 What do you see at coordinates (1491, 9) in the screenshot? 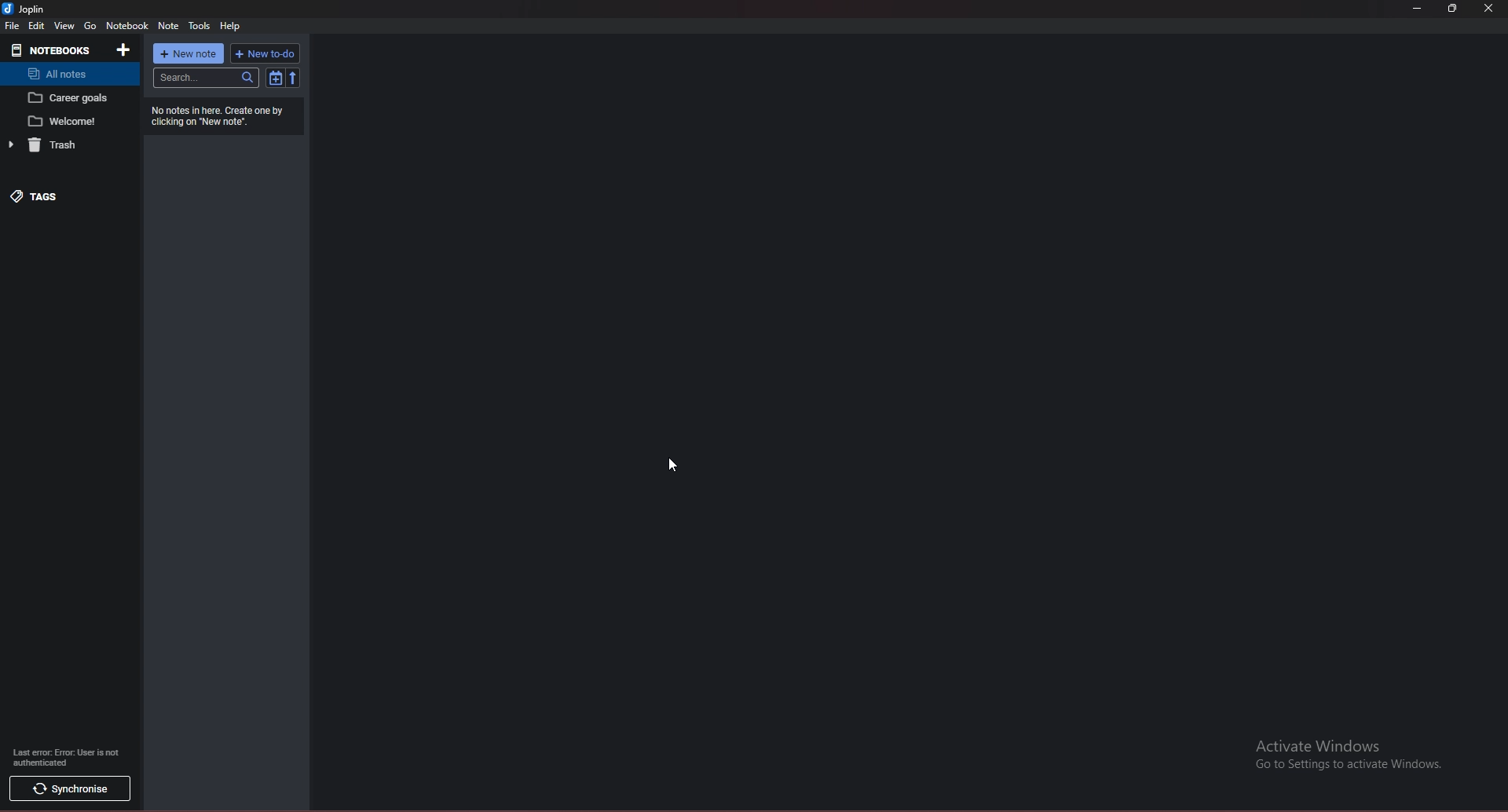
I see `close` at bounding box center [1491, 9].